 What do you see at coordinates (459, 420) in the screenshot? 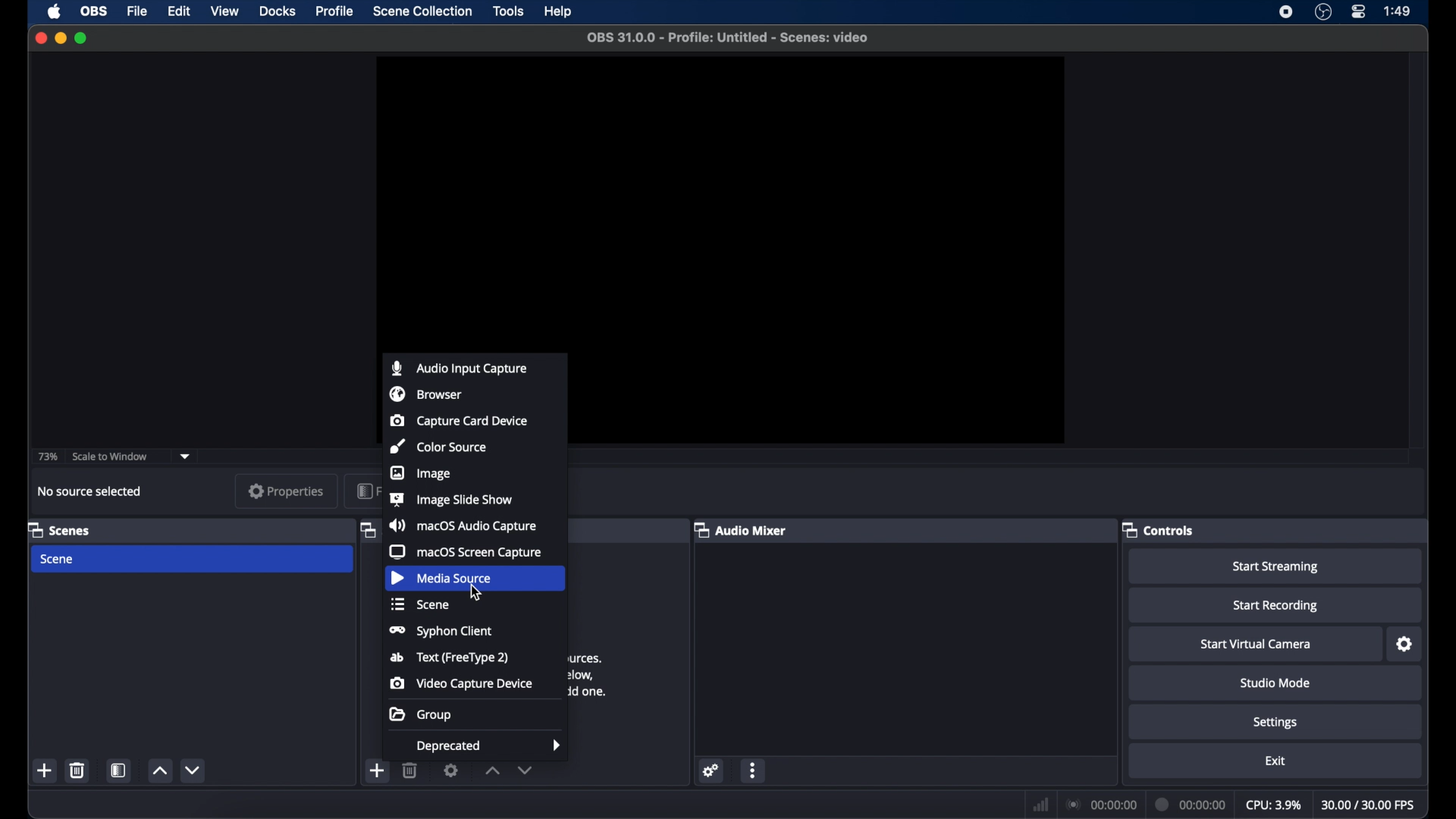
I see `capture card device` at bounding box center [459, 420].